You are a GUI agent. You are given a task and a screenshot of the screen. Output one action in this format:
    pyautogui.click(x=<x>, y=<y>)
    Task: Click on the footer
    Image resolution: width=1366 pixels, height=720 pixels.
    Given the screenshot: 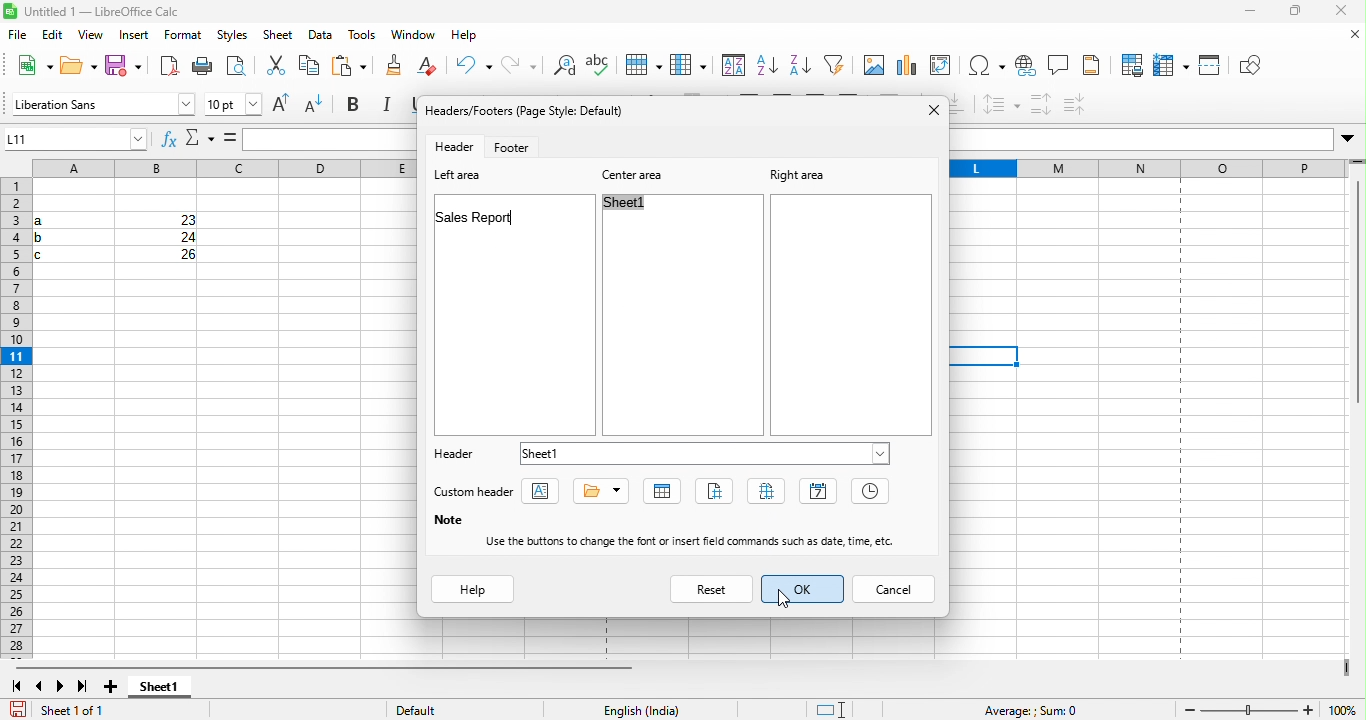 What is the action you would take?
    pyautogui.click(x=515, y=146)
    